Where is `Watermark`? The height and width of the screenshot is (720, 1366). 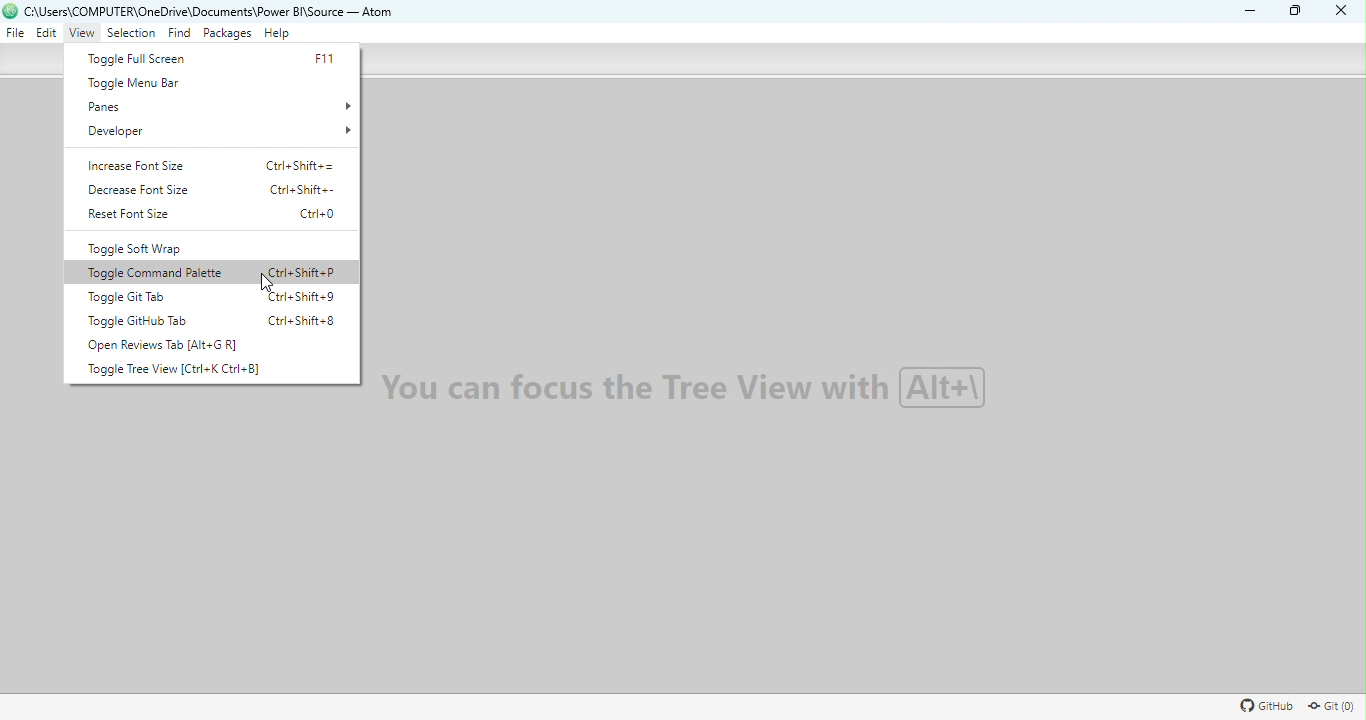 Watermark is located at coordinates (703, 395).